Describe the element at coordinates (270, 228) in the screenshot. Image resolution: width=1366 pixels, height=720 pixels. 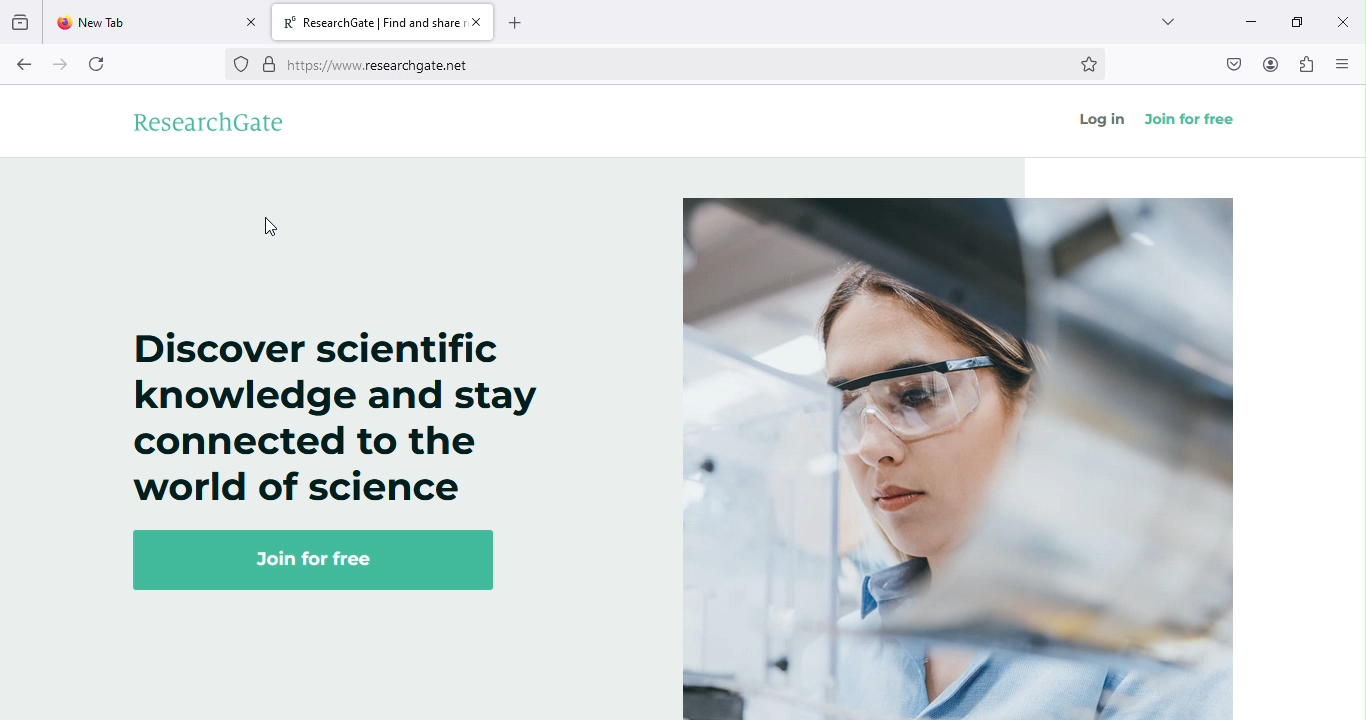
I see `cursor` at that location.